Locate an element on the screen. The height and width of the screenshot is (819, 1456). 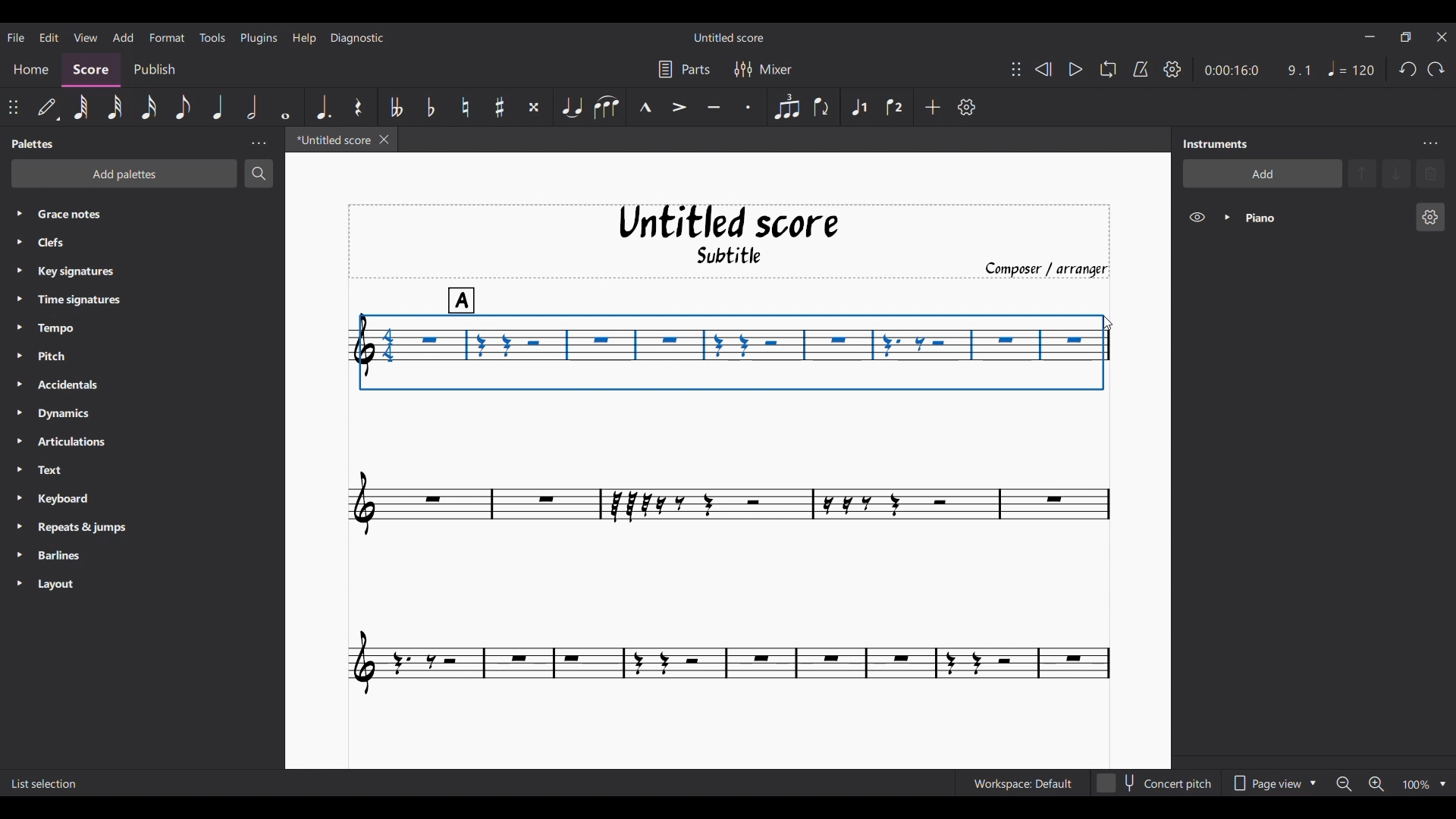
Dynamics is located at coordinates (90, 415).